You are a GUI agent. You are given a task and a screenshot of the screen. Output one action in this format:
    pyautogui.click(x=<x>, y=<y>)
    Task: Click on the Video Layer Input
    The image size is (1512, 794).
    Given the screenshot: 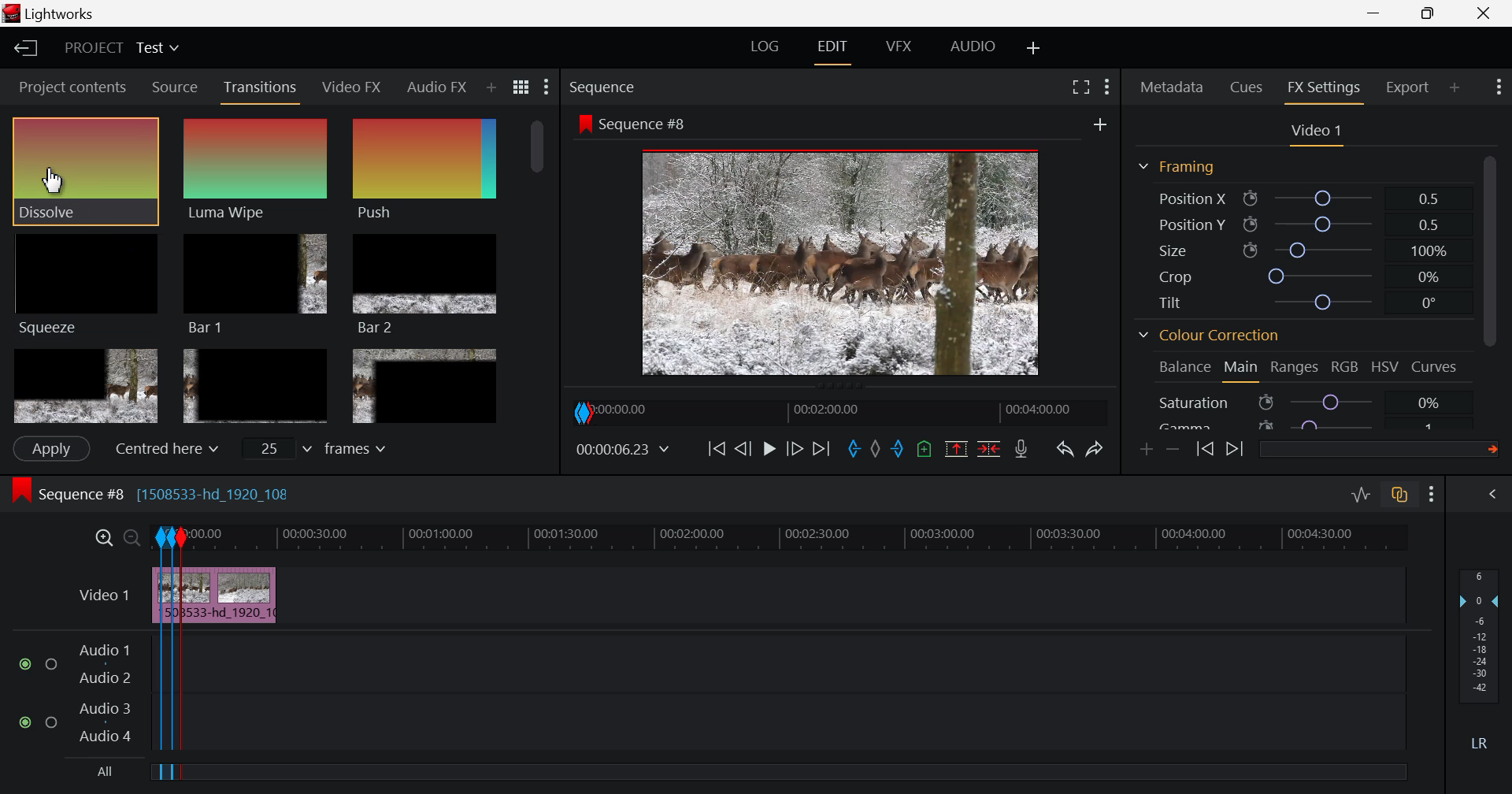 What is the action you would take?
    pyautogui.click(x=100, y=598)
    